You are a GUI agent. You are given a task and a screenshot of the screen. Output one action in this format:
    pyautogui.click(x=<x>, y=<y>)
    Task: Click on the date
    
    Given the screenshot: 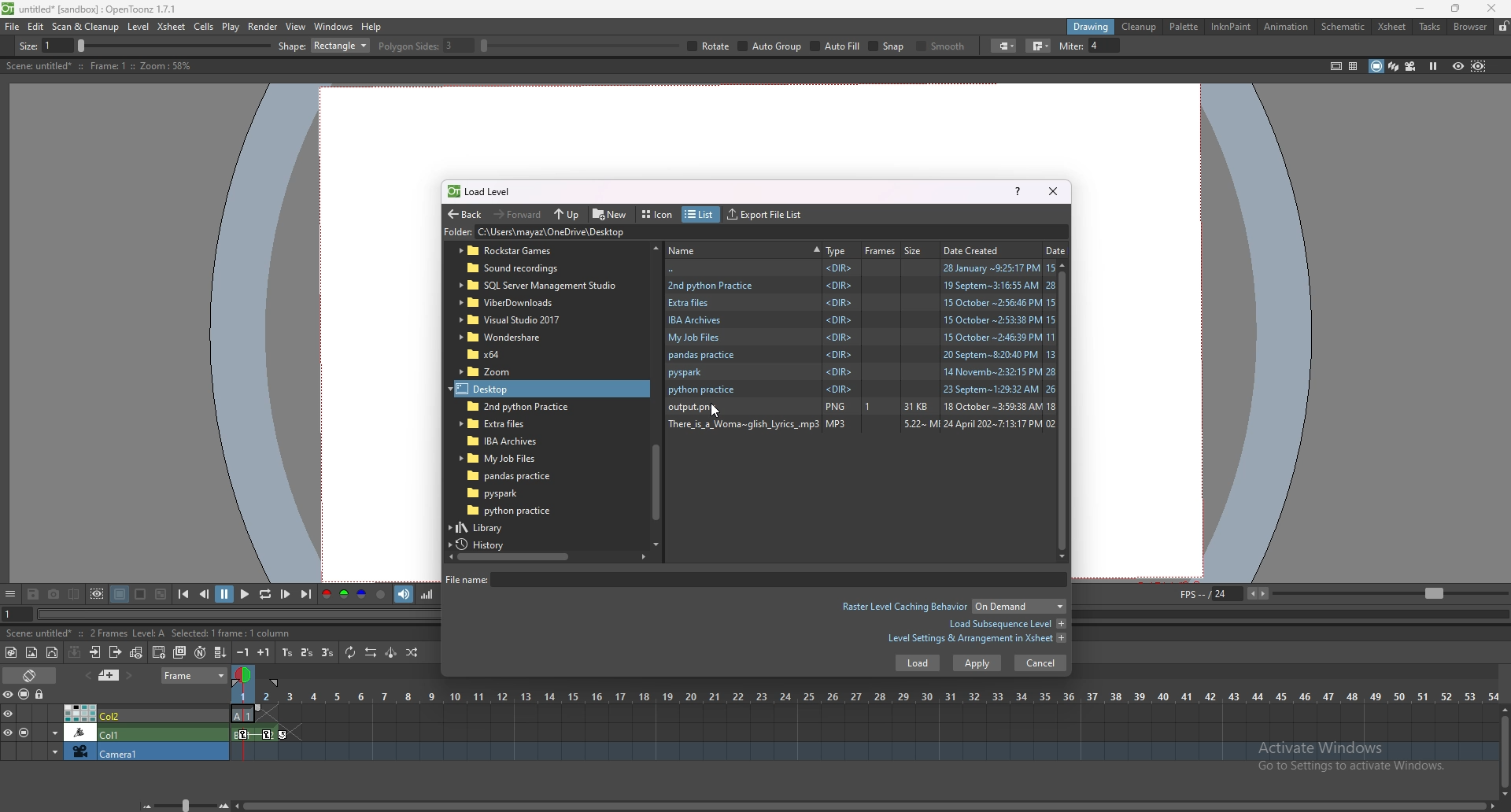 What is the action you would take?
    pyautogui.click(x=1056, y=249)
    